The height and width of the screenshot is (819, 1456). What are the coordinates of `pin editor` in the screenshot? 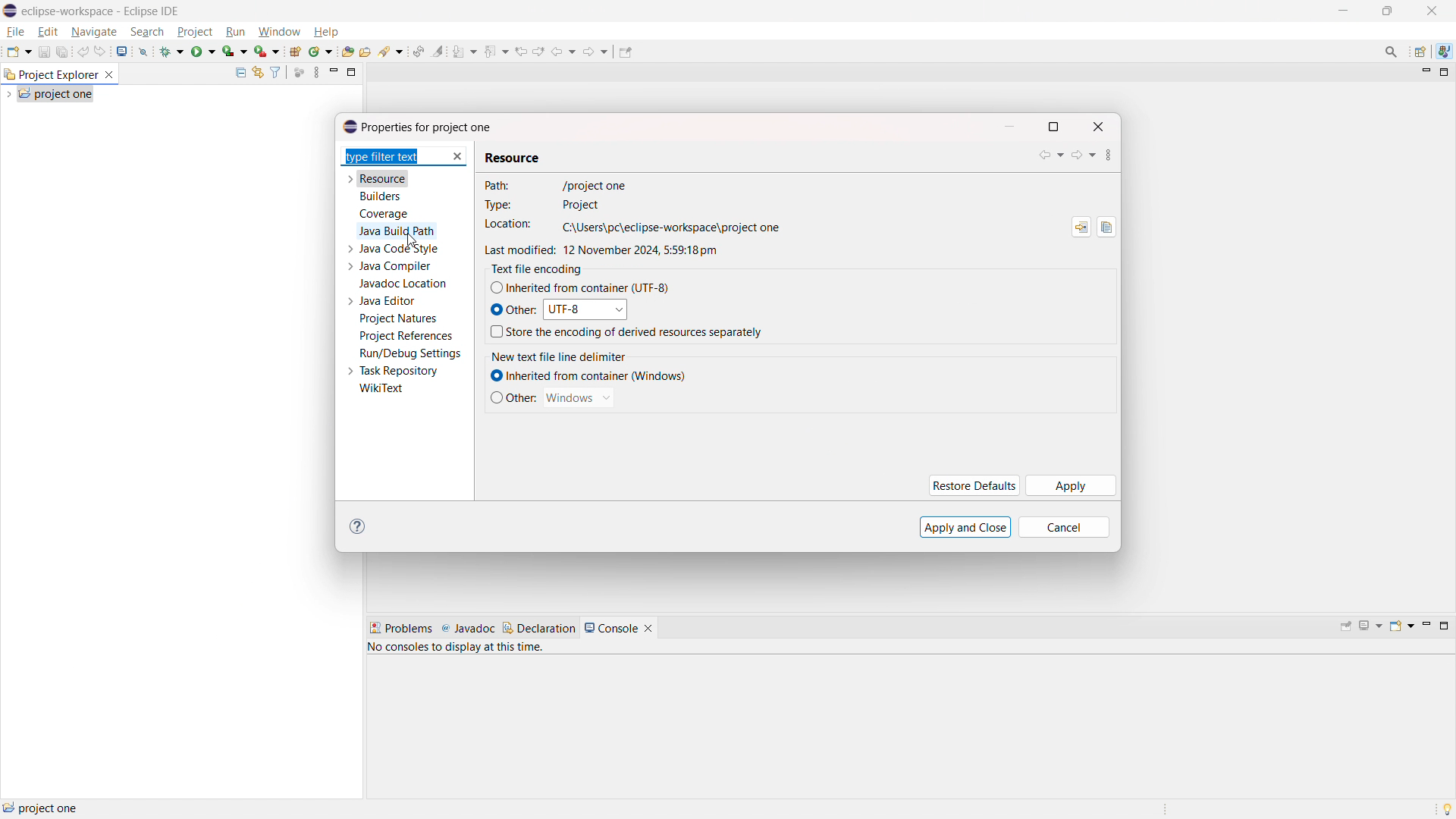 It's located at (626, 52).